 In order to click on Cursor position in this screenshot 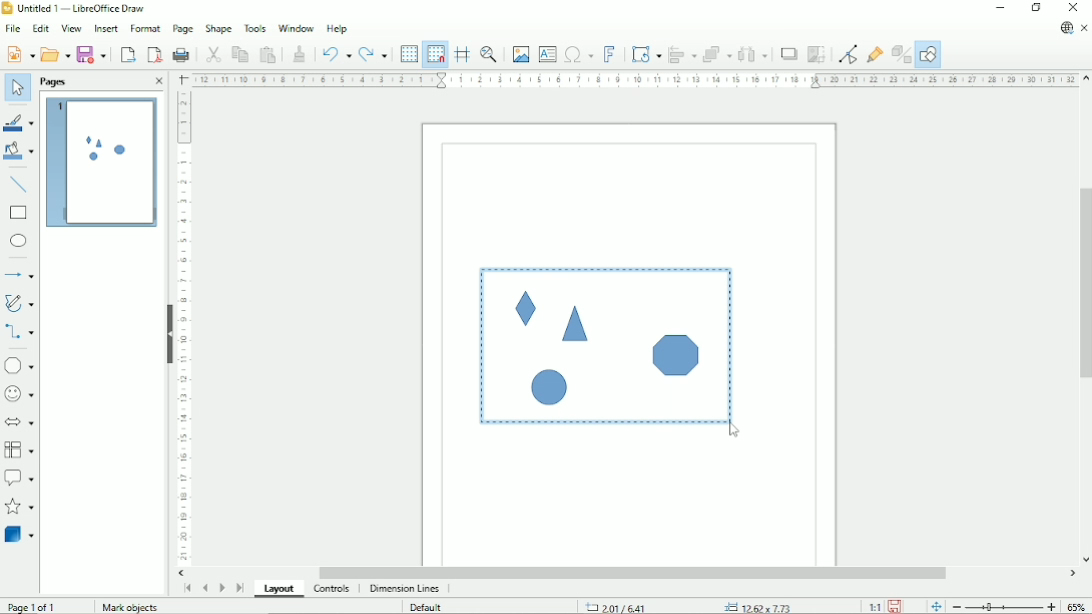, I will do `click(687, 605)`.